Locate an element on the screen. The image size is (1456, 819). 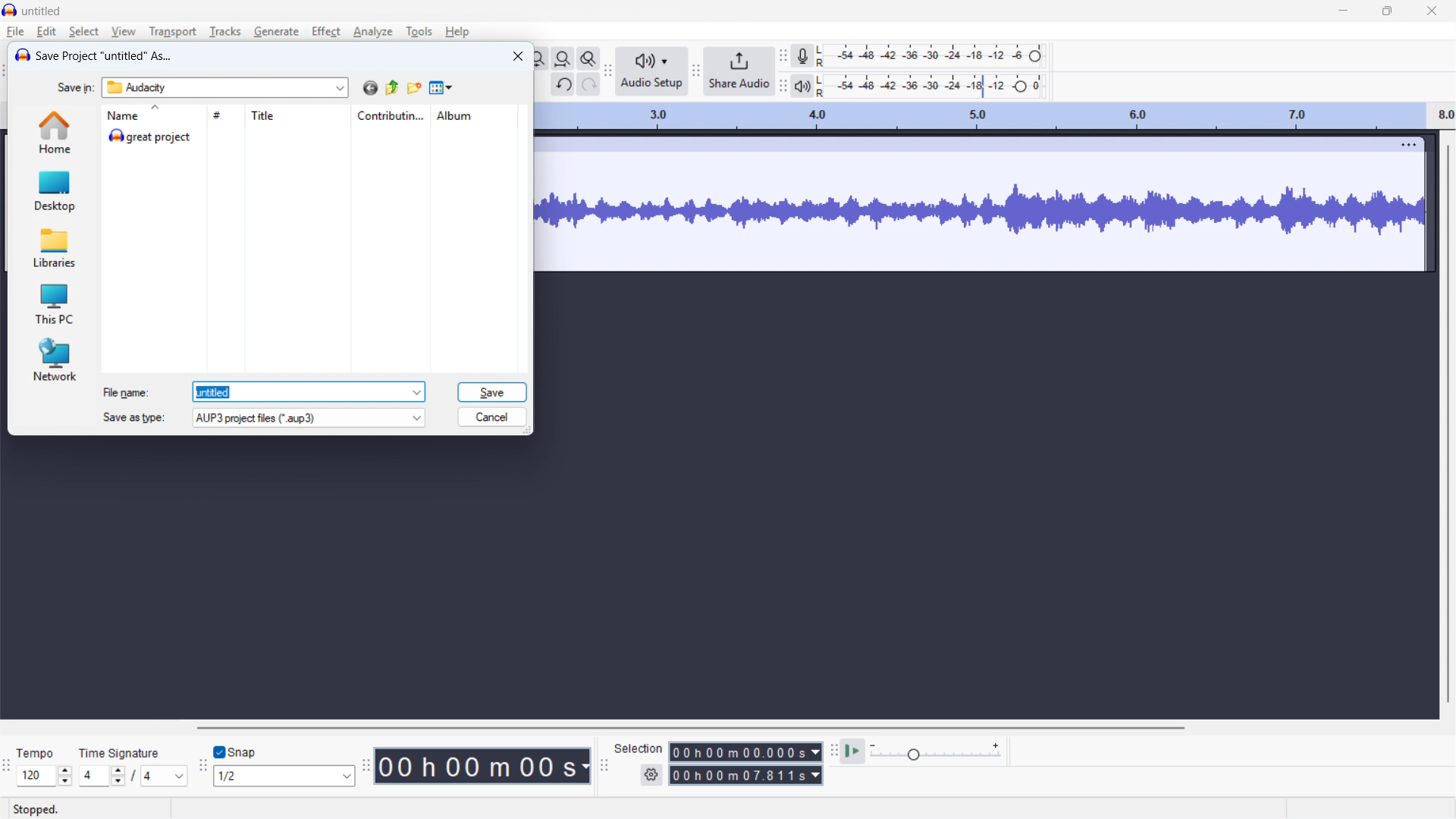
save as type is located at coordinates (308, 417).